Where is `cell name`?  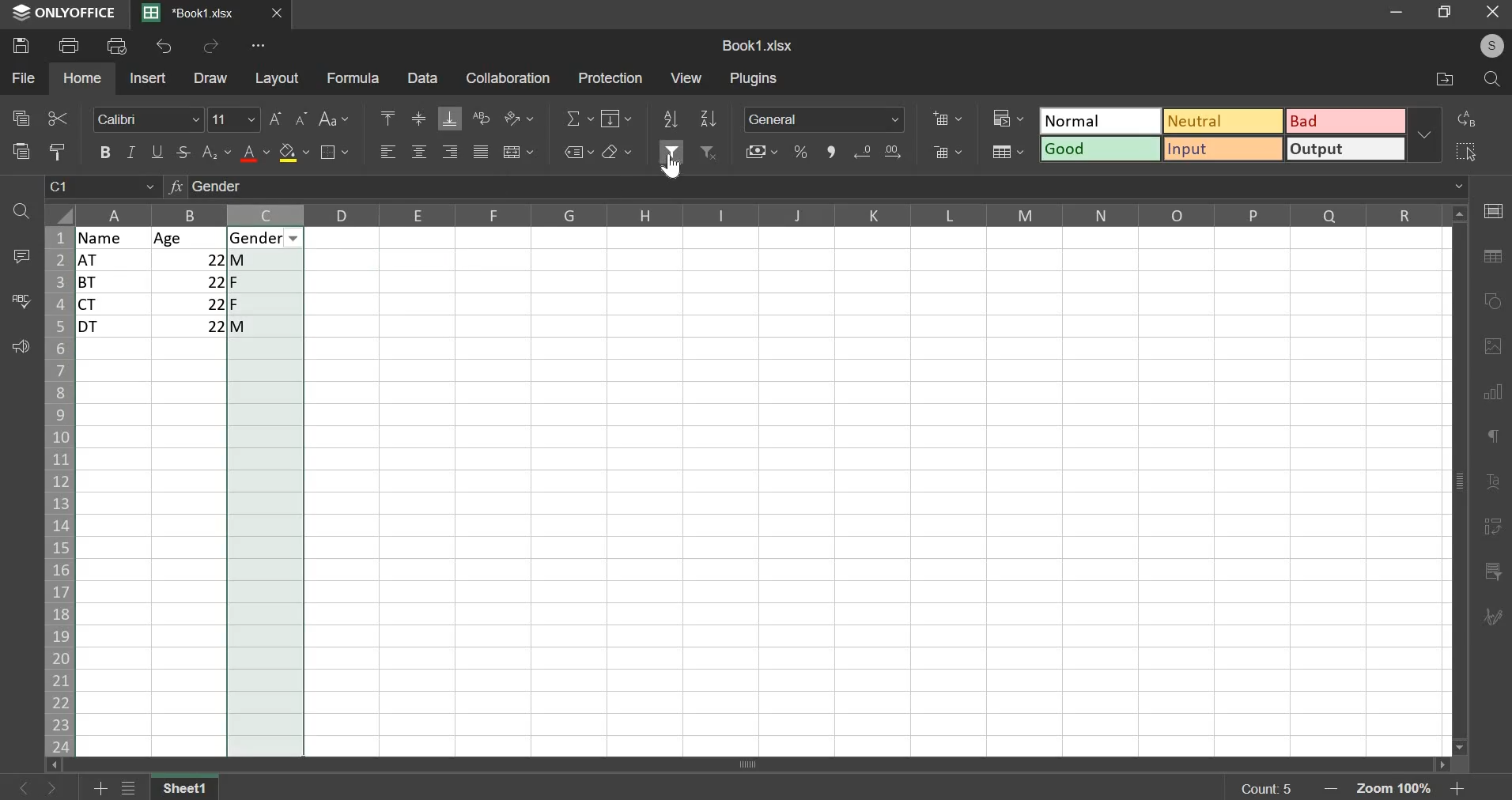
cell name is located at coordinates (103, 190).